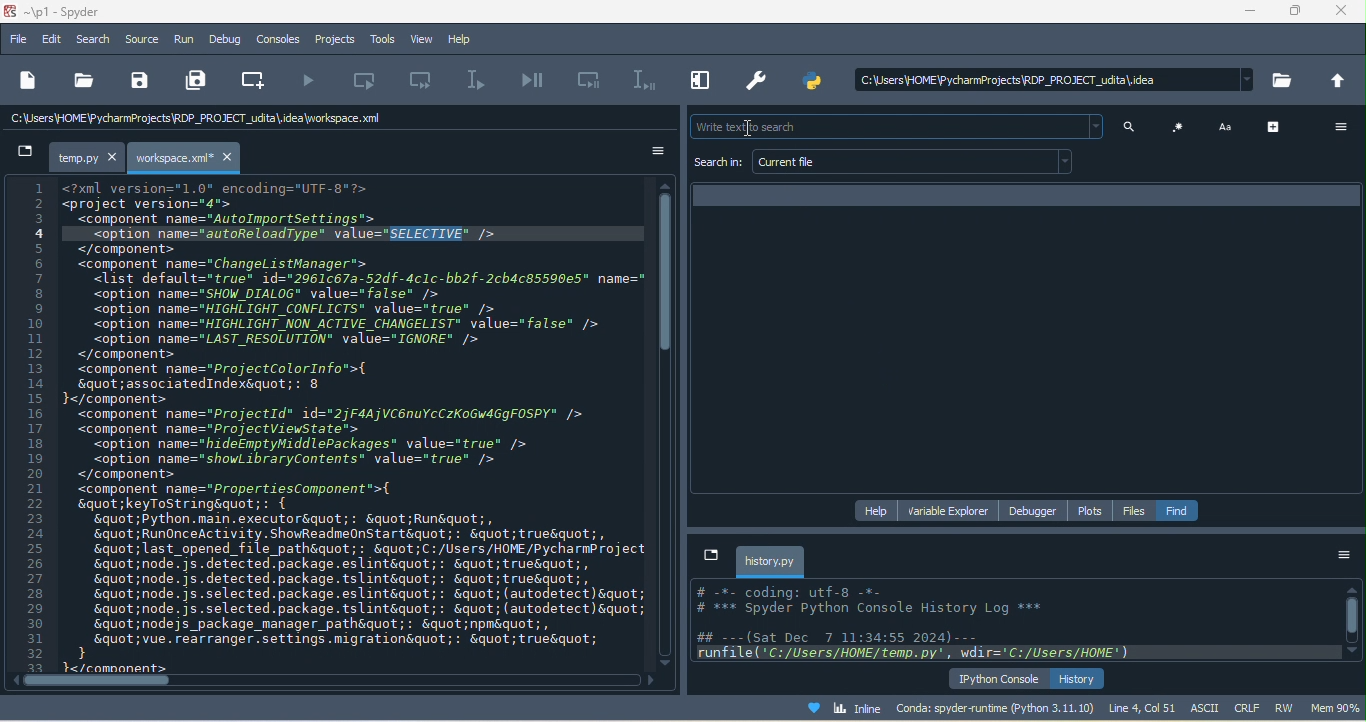 This screenshot has width=1366, height=722. I want to click on find, so click(1179, 510).